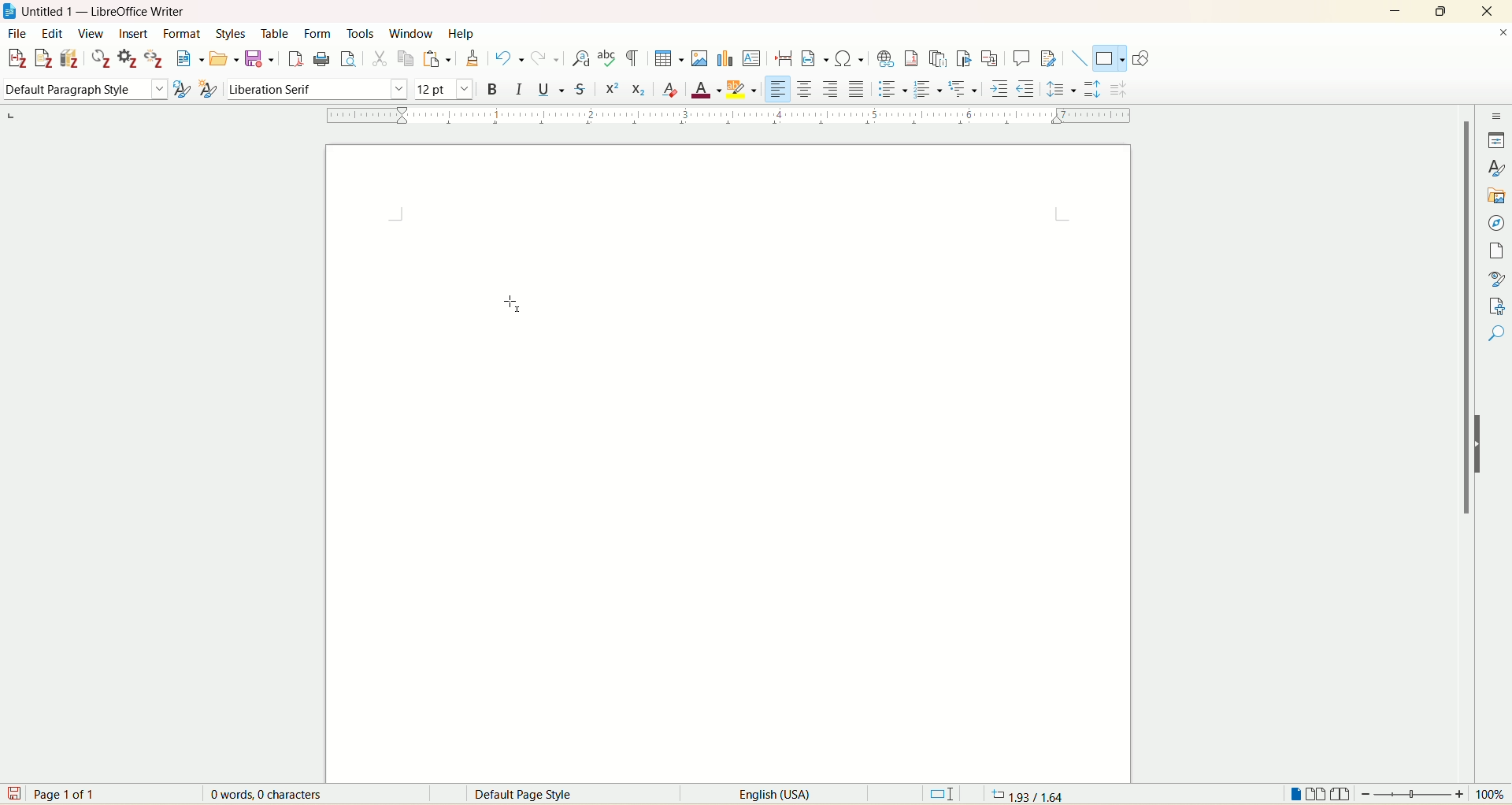 The height and width of the screenshot is (805, 1512). I want to click on insert page break, so click(784, 57).